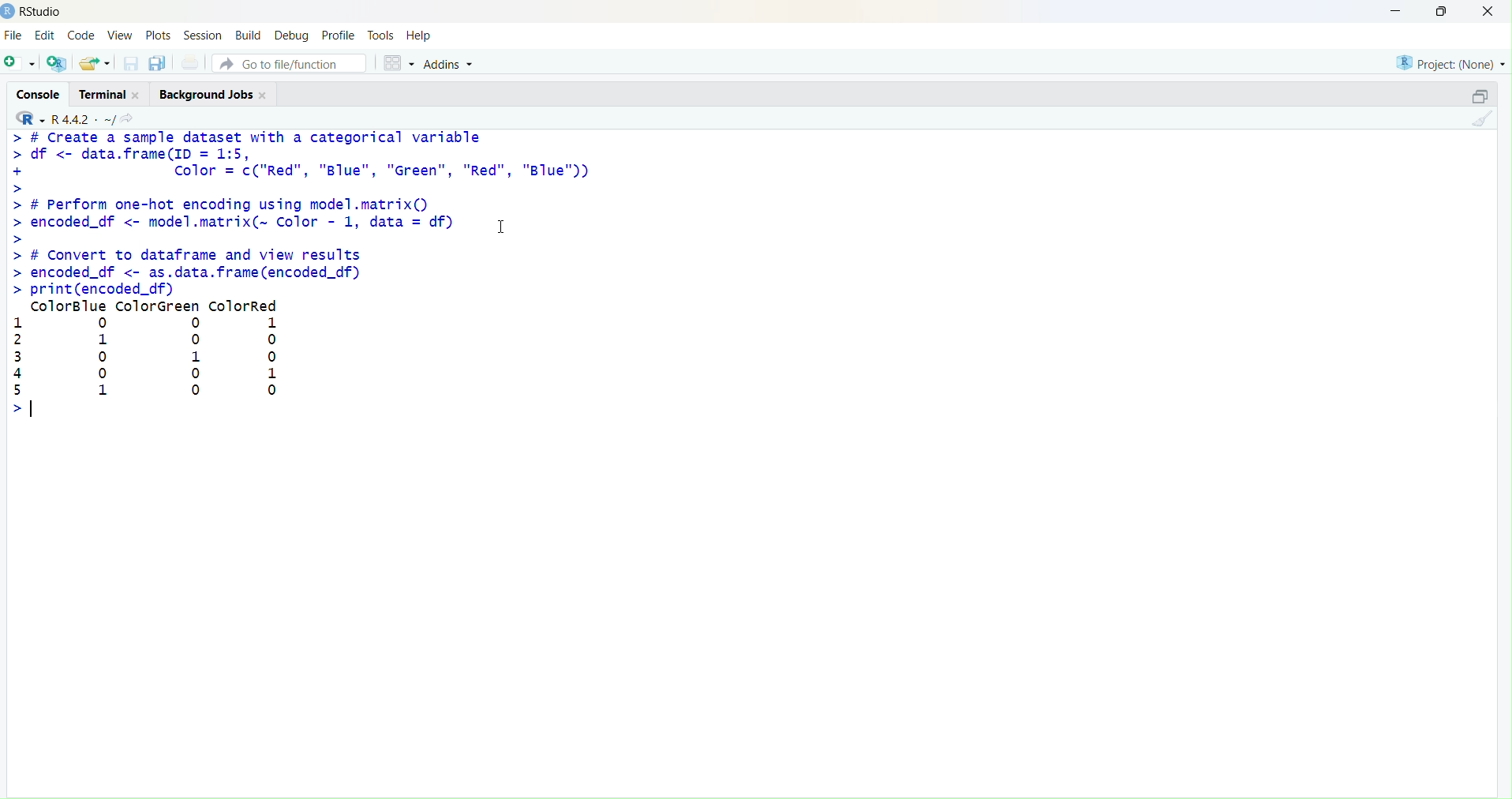  What do you see at coordinates (451, 65) in the screenshot?
I see `addins` at bounding box center [451, 65].